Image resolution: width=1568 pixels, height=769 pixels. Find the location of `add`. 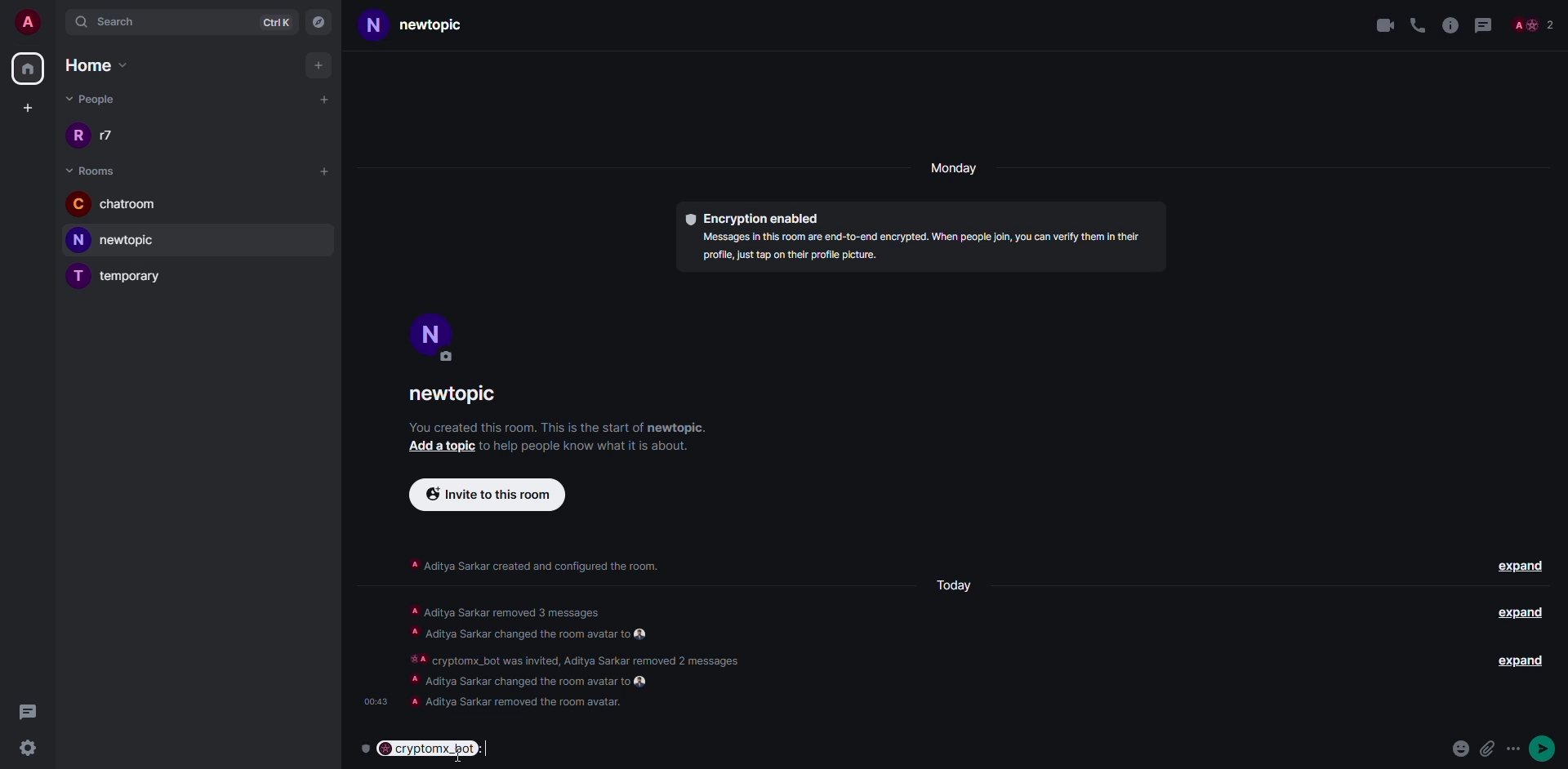

add is located at coordinates (325, 98).